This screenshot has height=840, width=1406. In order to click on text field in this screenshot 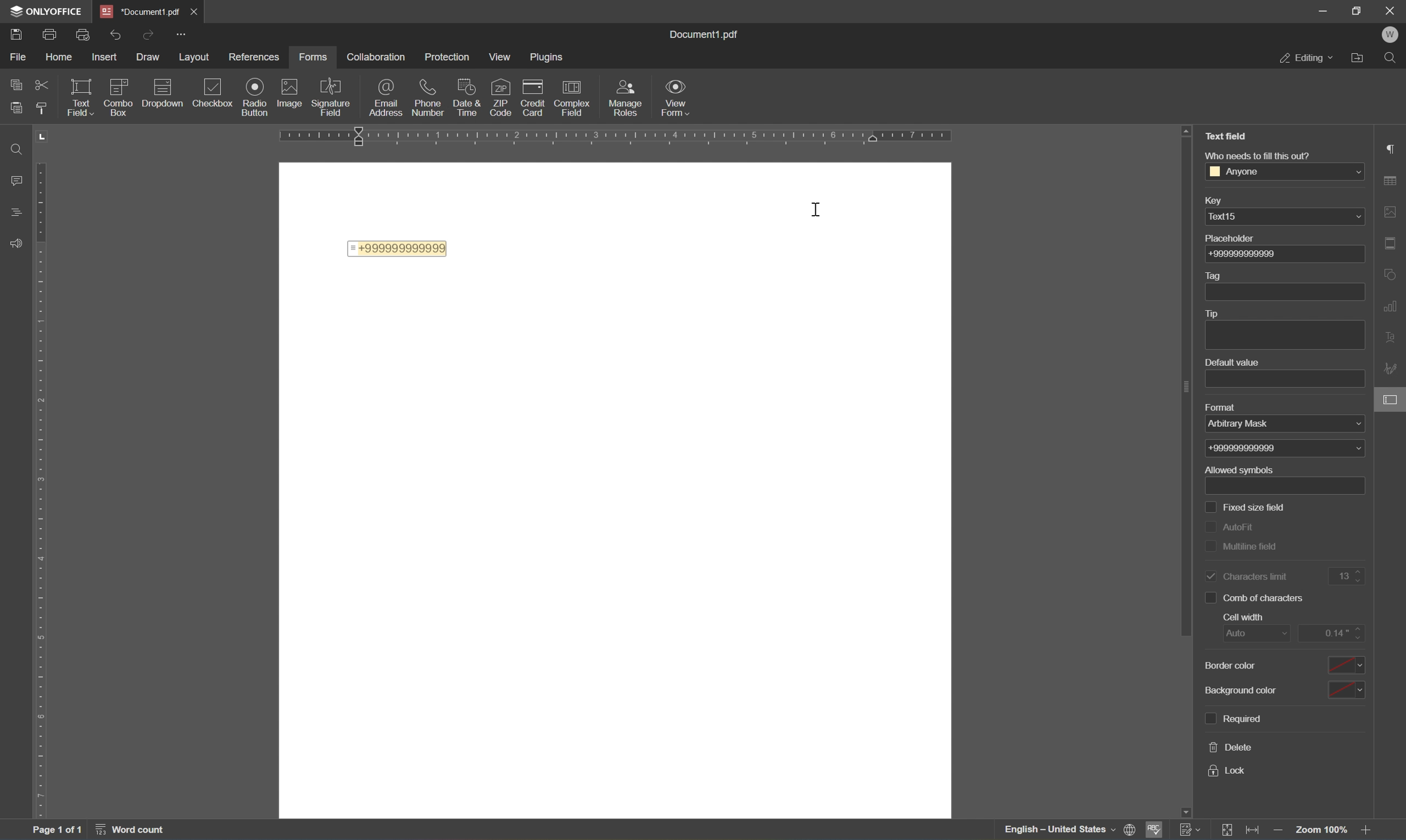, I will do `click(1224, 136)`.